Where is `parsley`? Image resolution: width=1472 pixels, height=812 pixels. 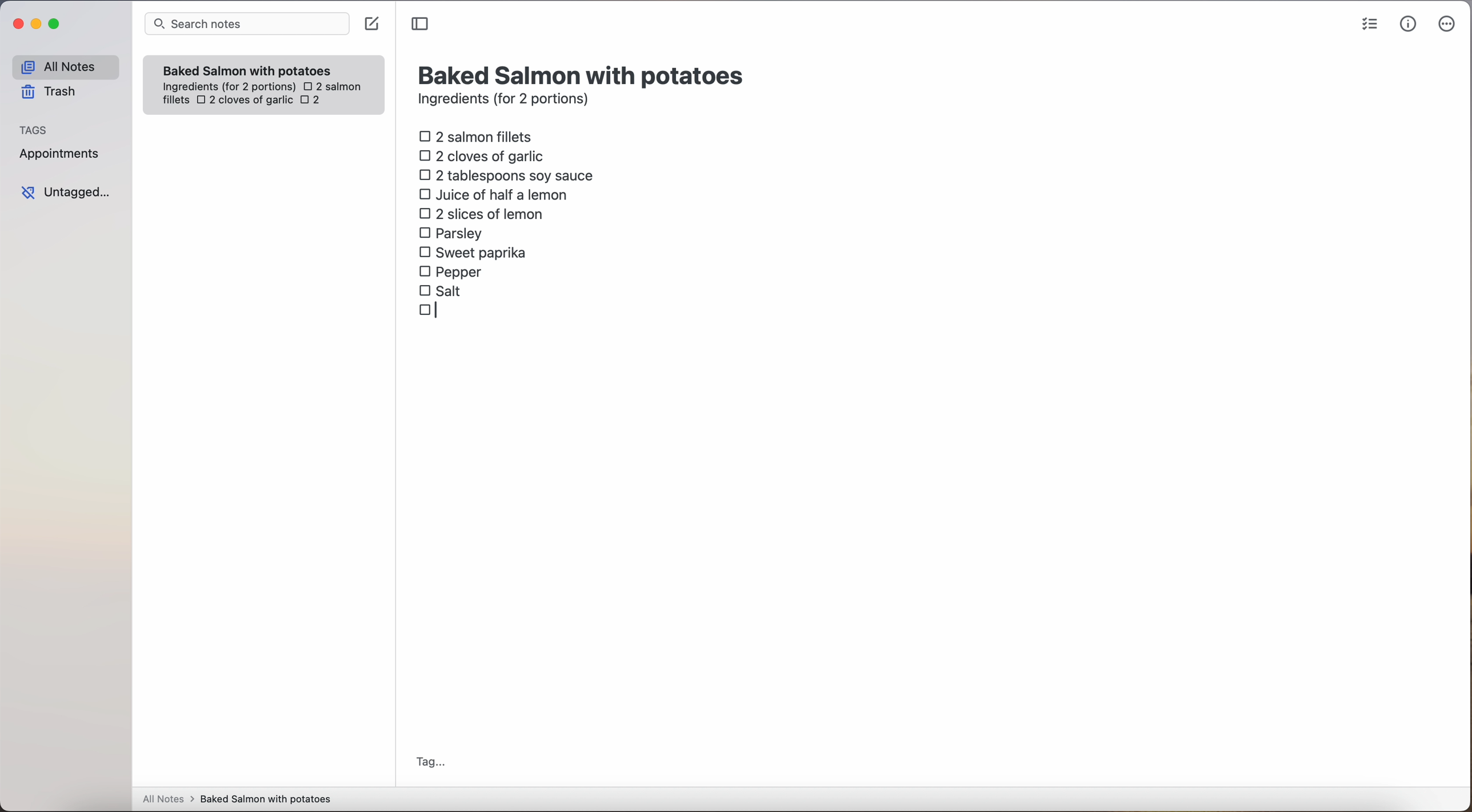 parsley is located at coordinates (451, 232).